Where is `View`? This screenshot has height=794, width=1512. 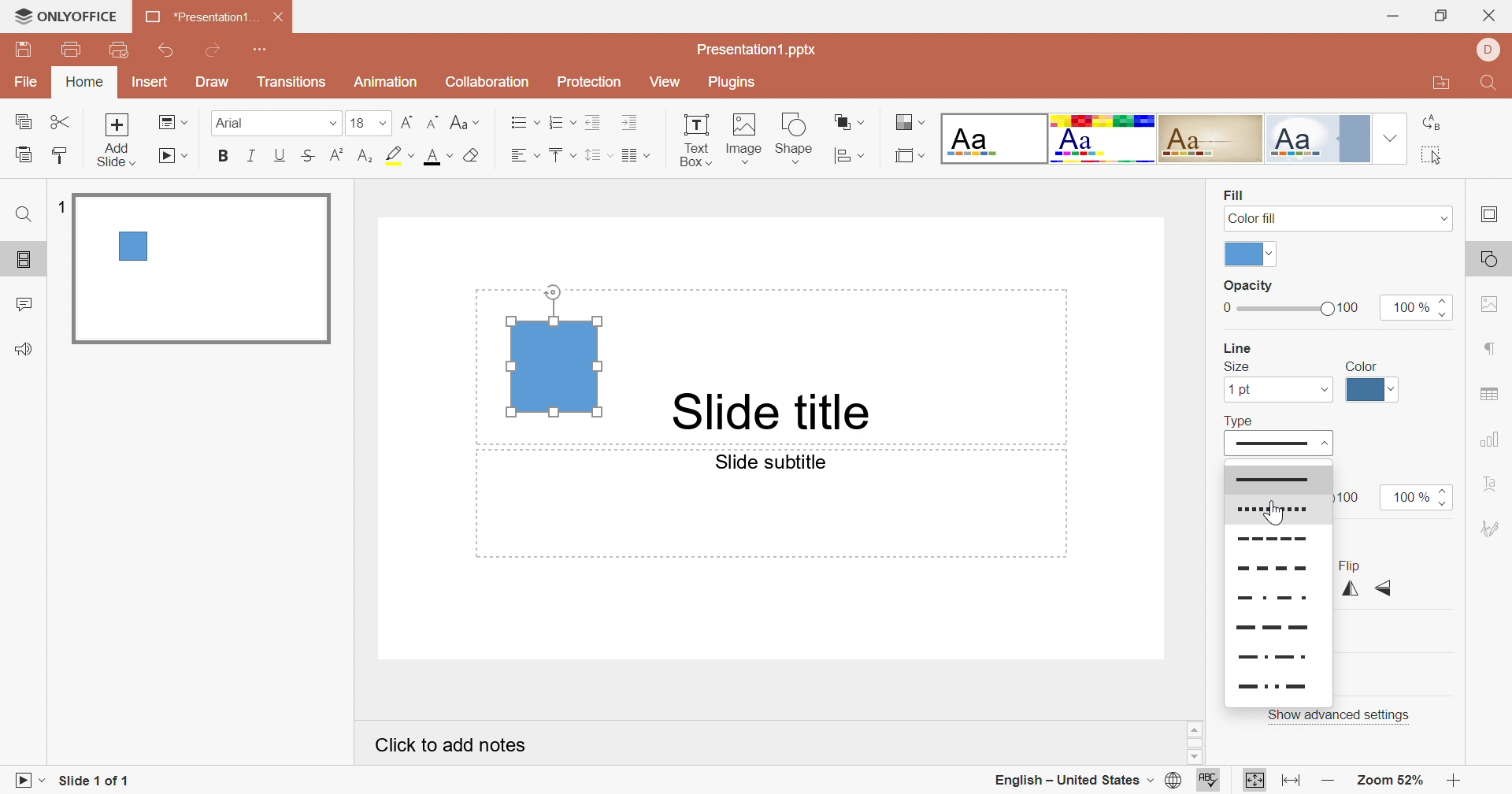 View is located at coordinates (669, 85).